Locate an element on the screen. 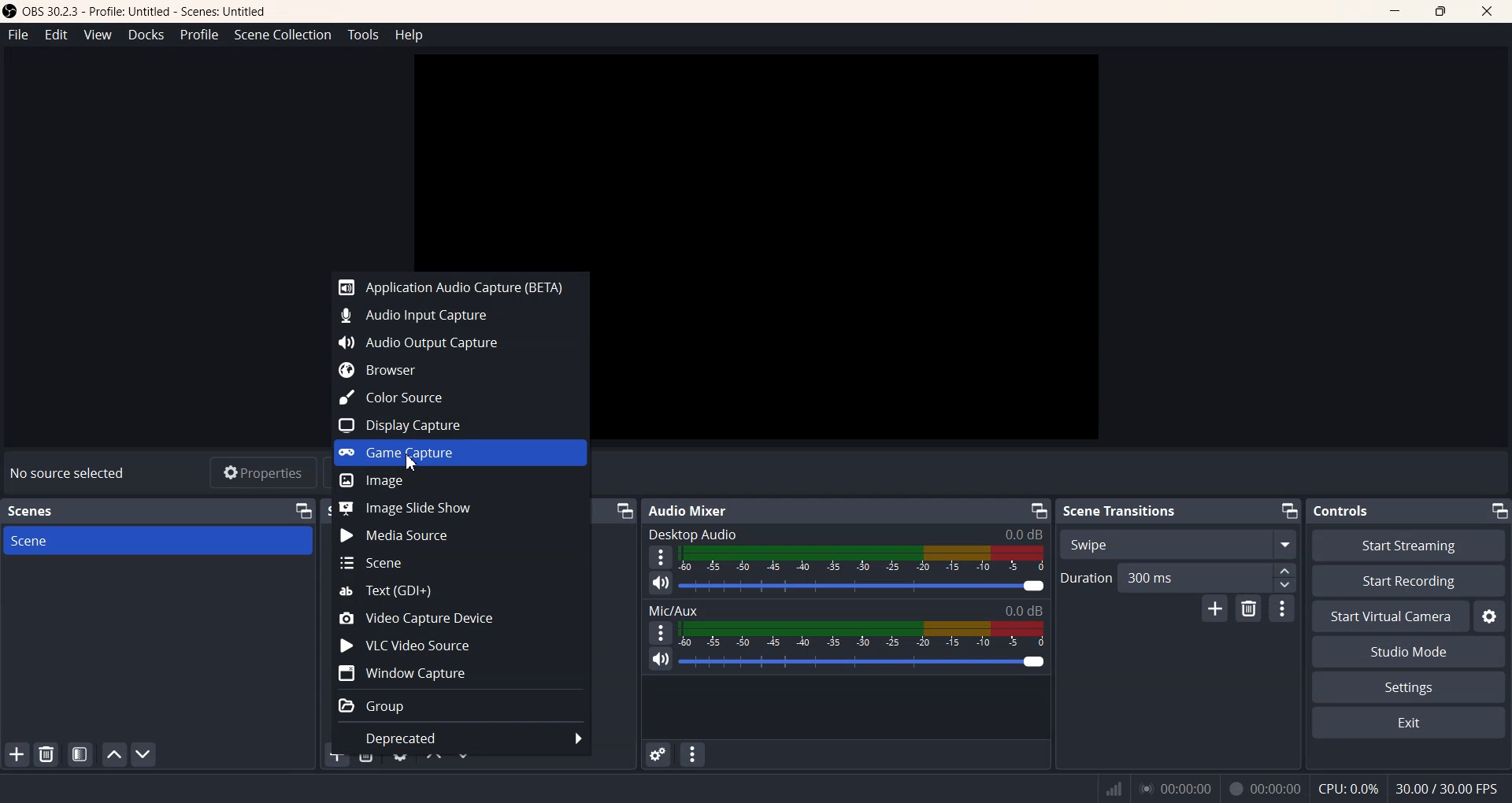 Image resolution: width=1512 pixels, height=803 pixels. Minimize is located at coordinates (1499, 510).